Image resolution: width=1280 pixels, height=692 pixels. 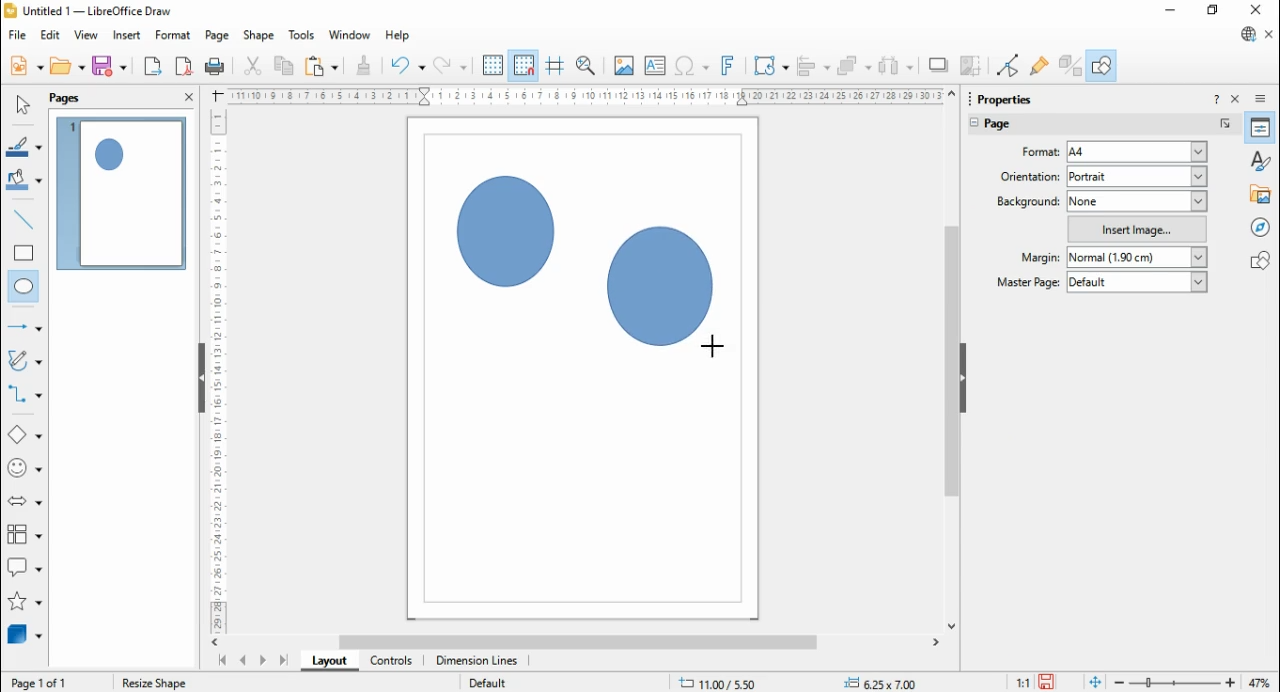 What do you see at coordinates (586, 66) in the screenshot?
I see `zoom and pan` at bounding box center [586, 66].